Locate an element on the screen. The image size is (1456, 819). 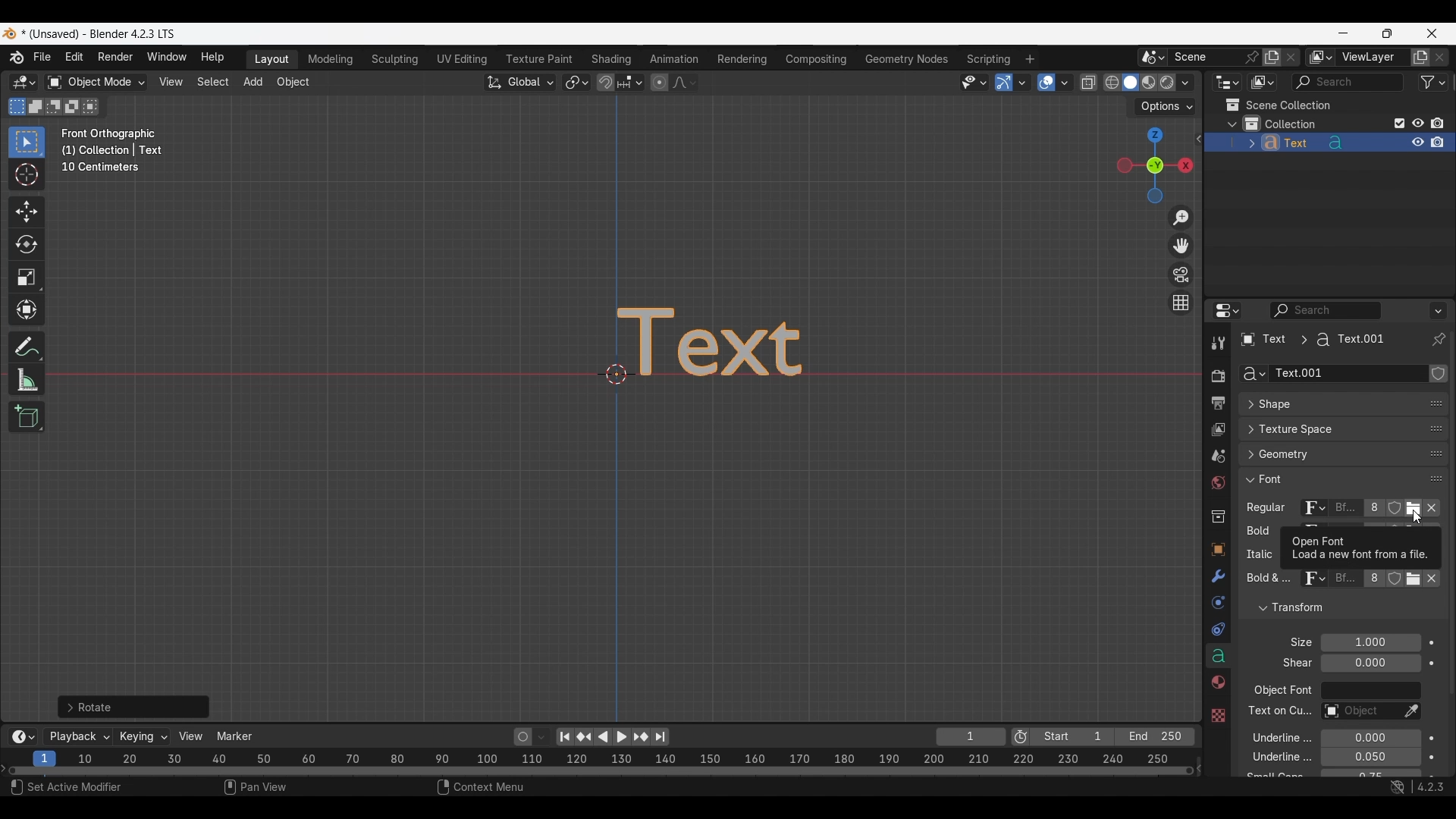
World is located at coordinates (1217, 484).